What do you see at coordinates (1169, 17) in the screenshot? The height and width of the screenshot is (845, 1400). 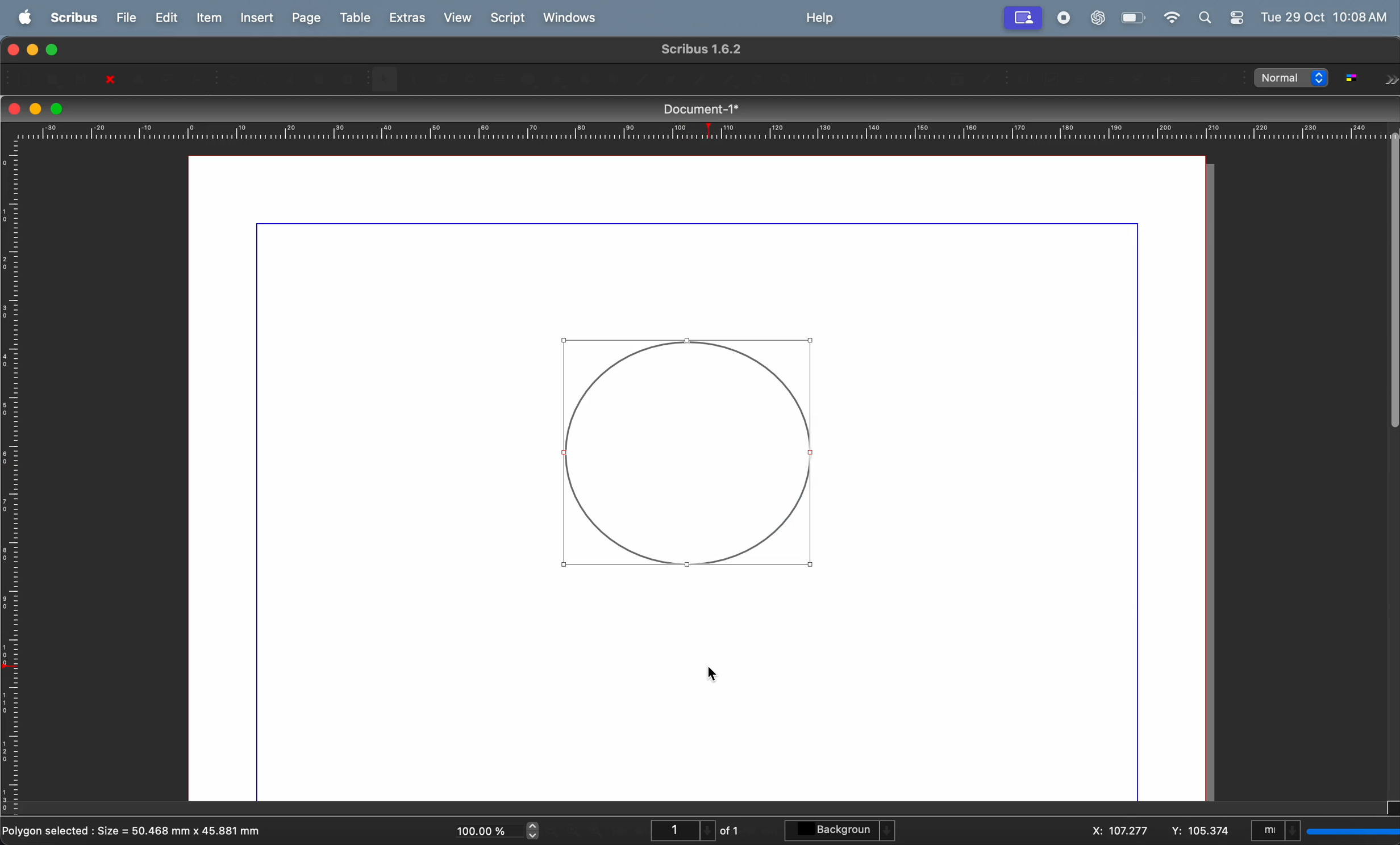 I see `wifi` at bounding box center [1169, 17].